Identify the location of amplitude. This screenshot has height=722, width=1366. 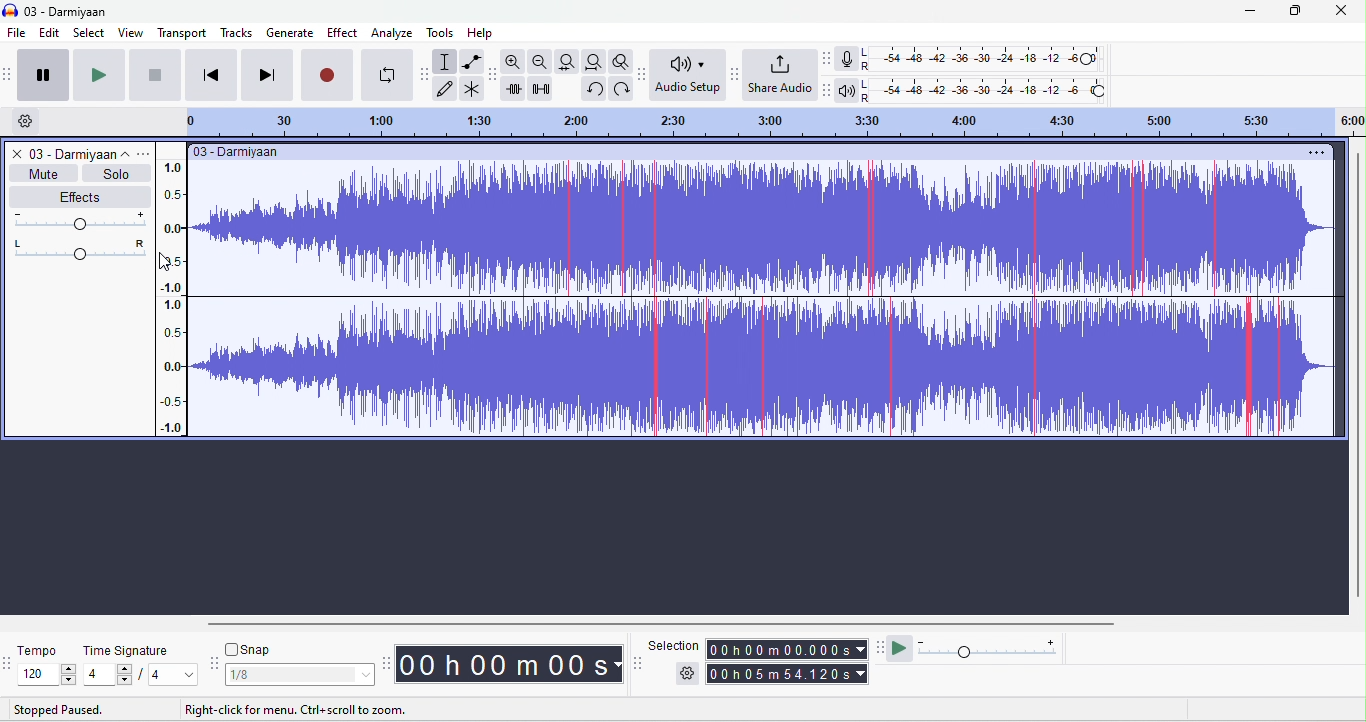
(175, 296).